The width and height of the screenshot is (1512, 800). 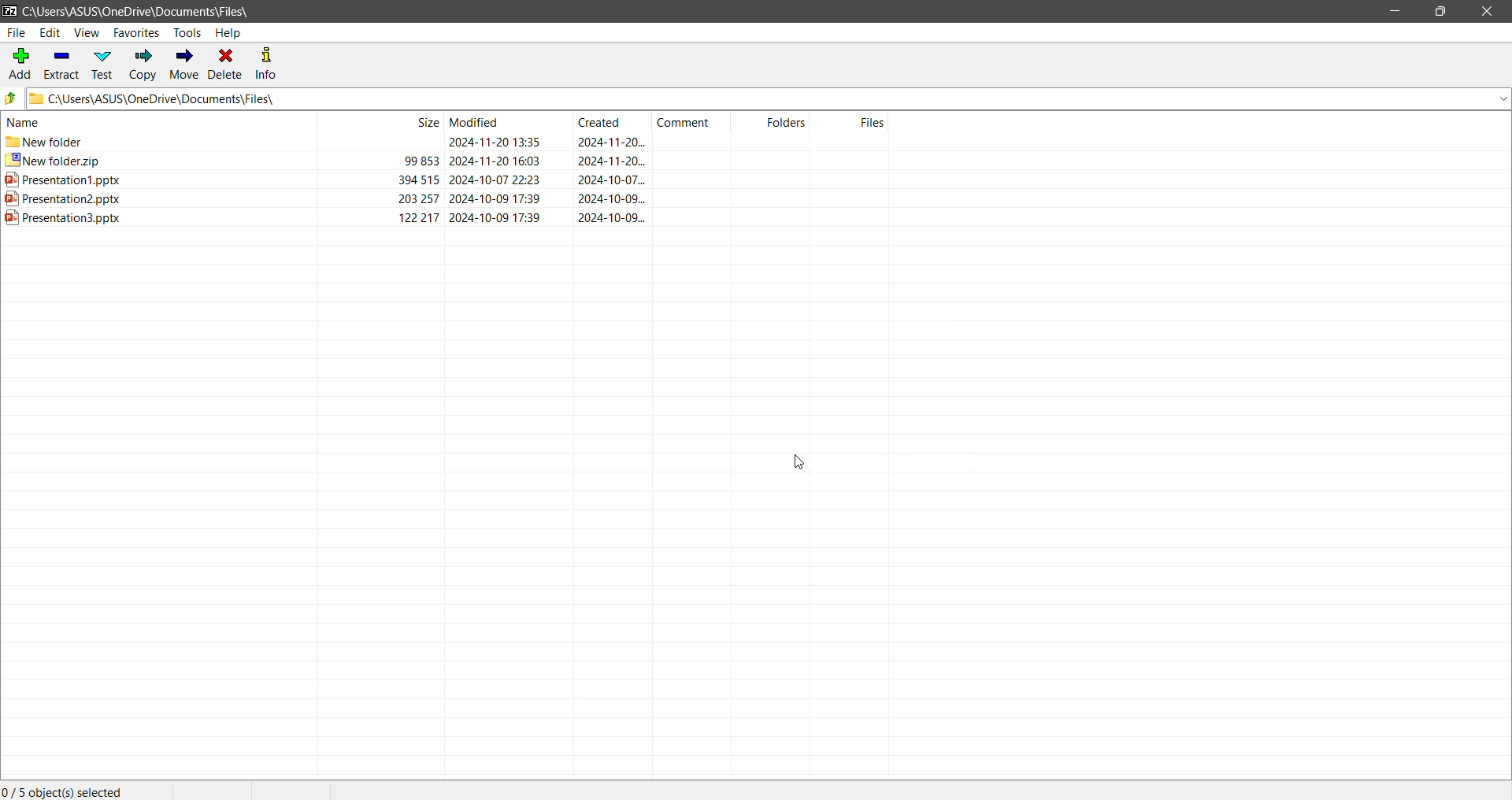 I want to click on ppt 1, so click(x=446, y=180).